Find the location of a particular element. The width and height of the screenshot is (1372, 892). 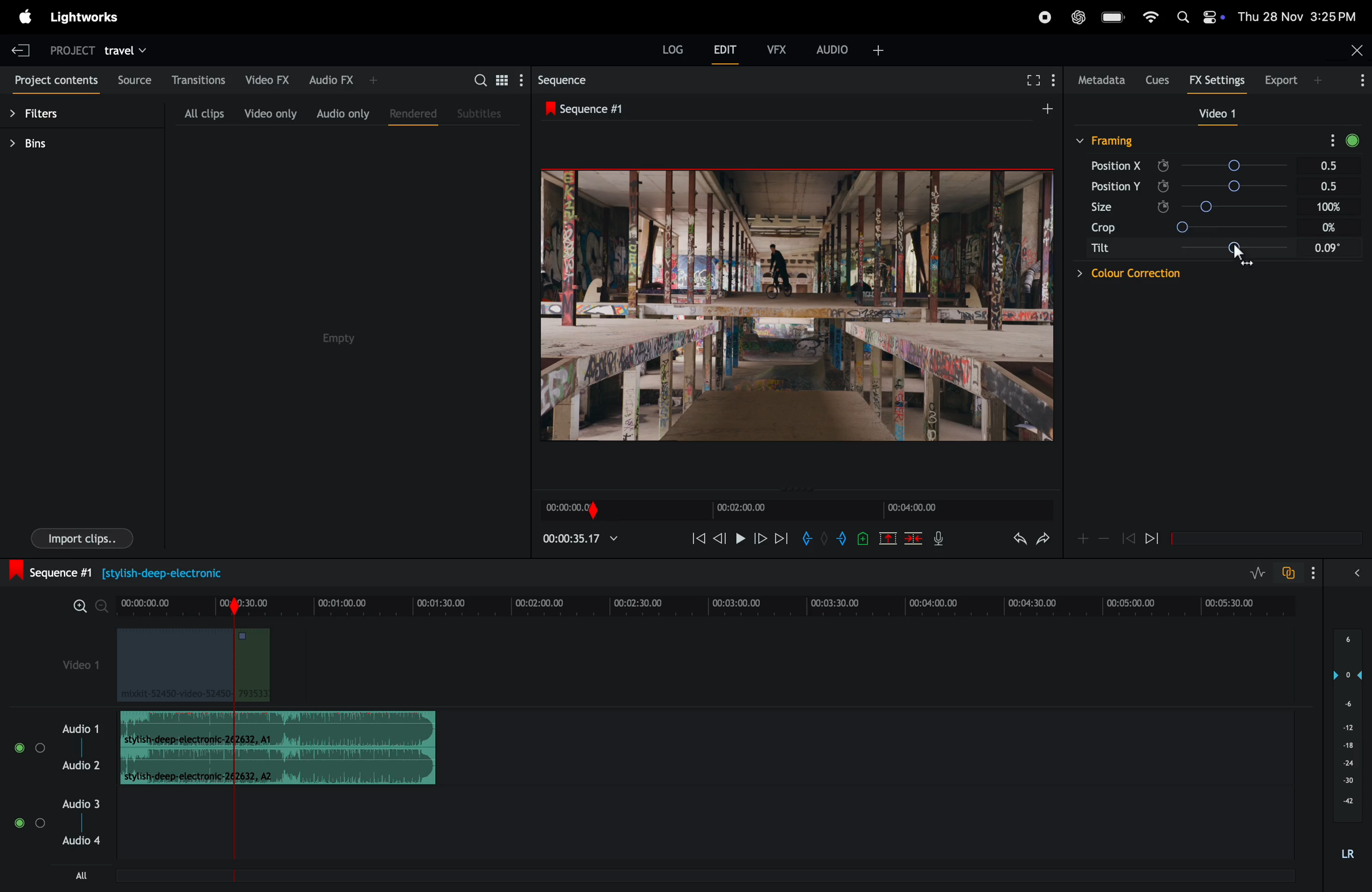

position y is located at coordinates (1115, 188).